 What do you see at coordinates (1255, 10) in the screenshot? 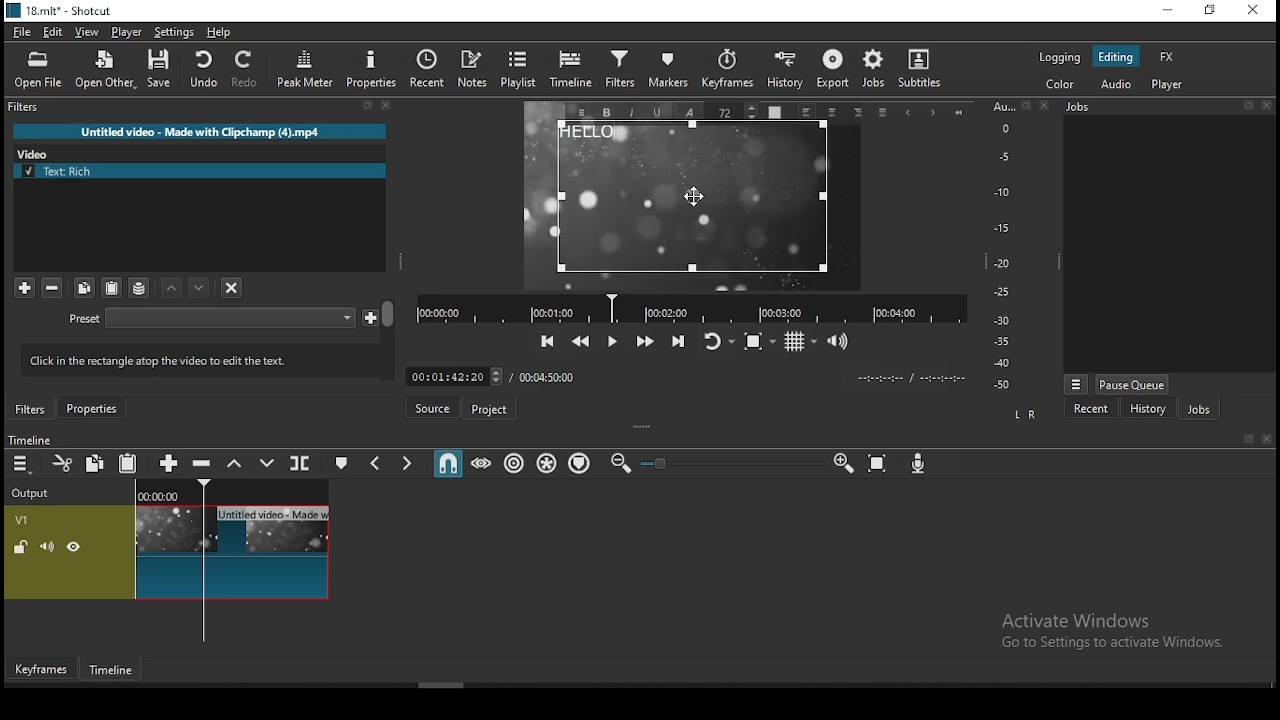
I see `close window` at bounding box center [1255, 10].